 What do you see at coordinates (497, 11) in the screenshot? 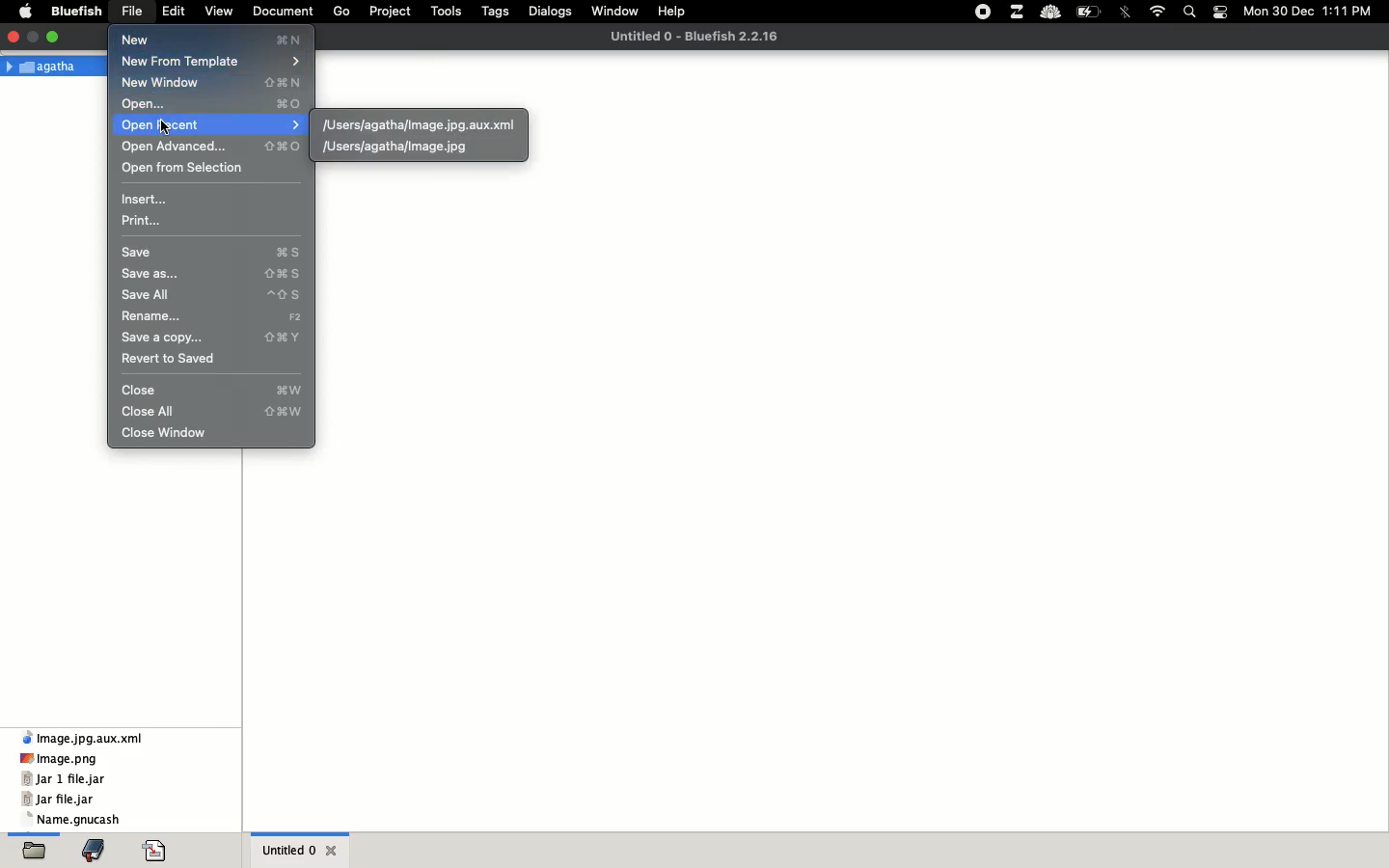
I see `tags` at bounding box center [497, 11].